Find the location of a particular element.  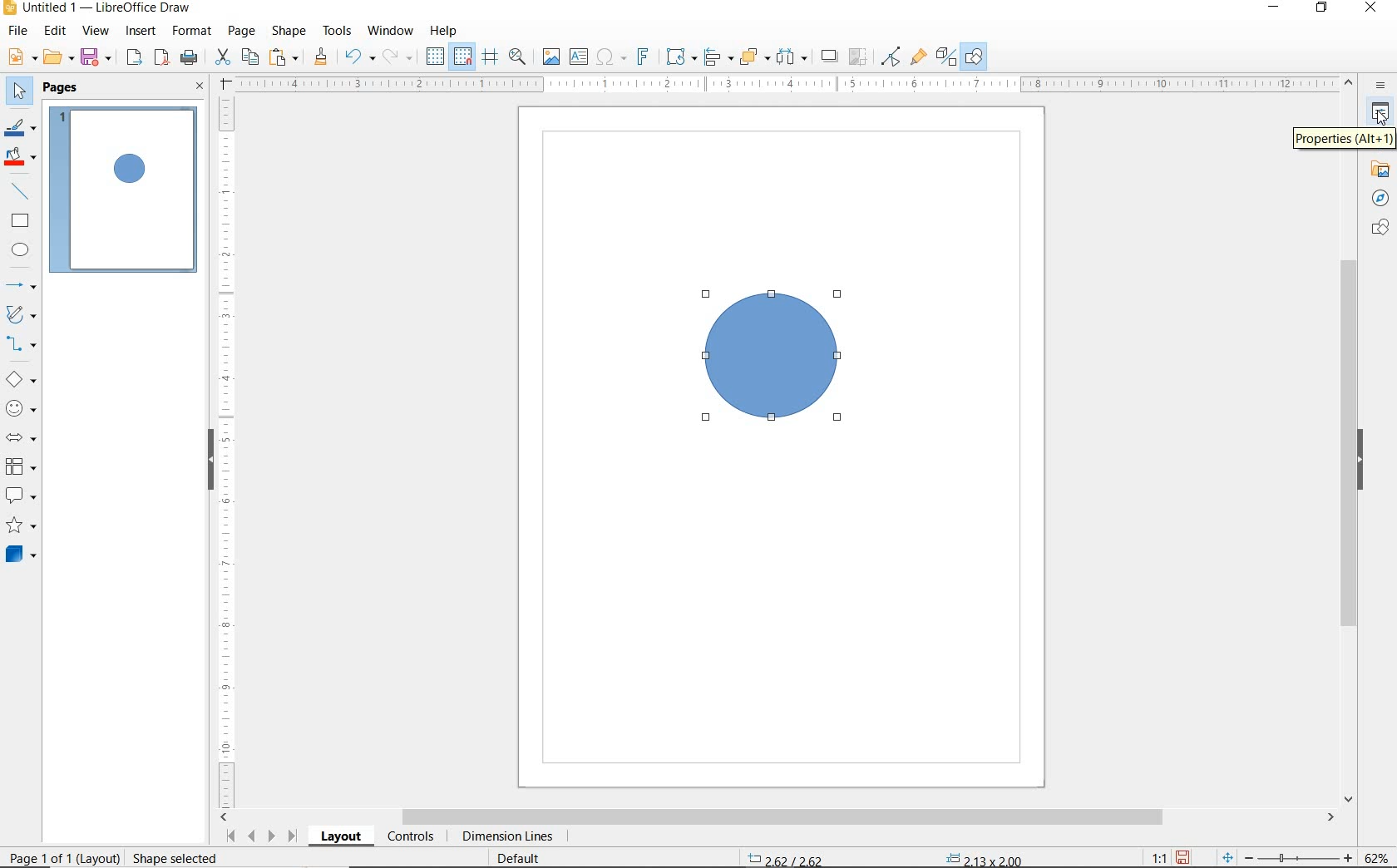

Gallery is located at coordinates (1378, 172).